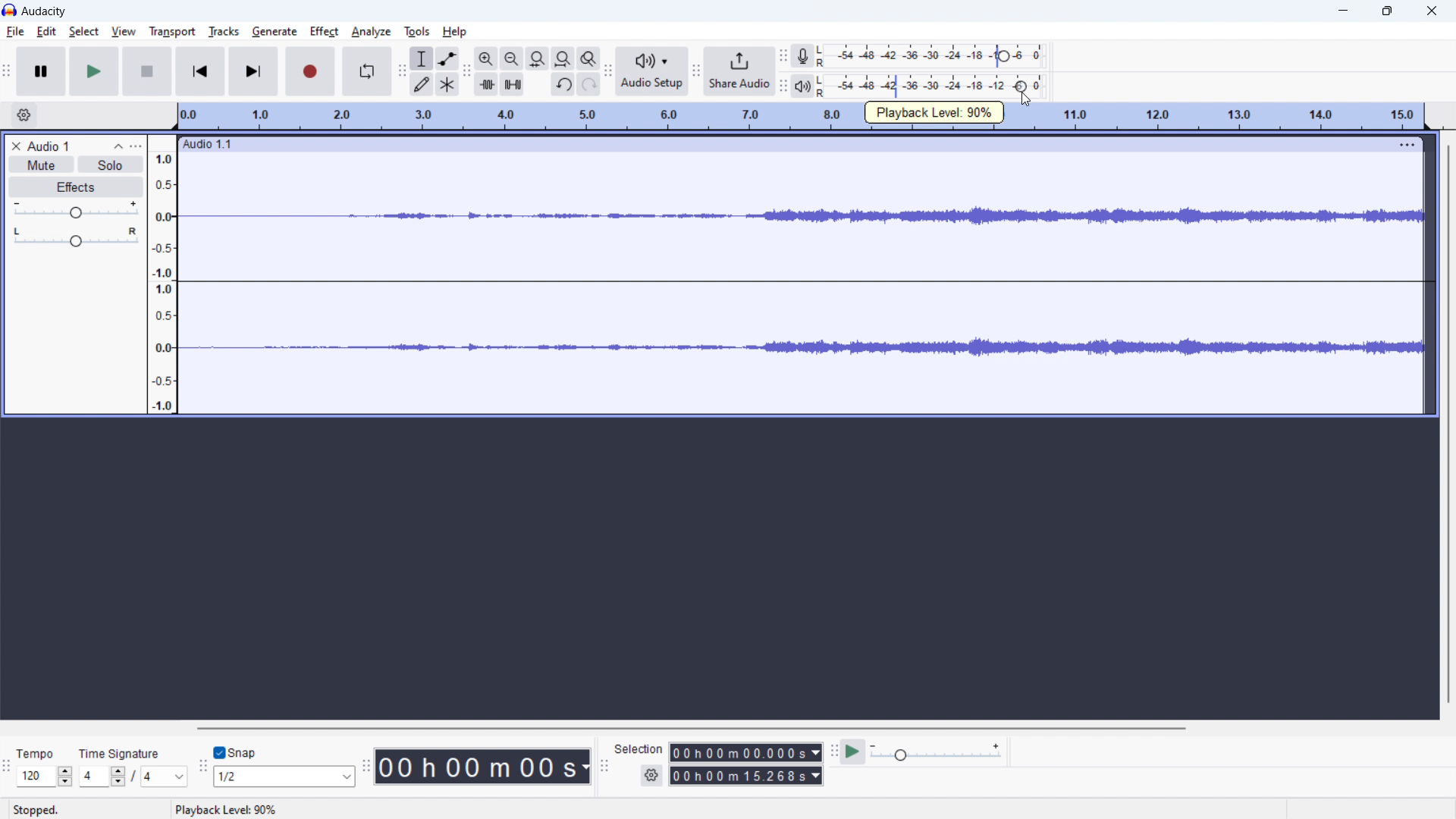  I want to click on end time, so click(745, 776).